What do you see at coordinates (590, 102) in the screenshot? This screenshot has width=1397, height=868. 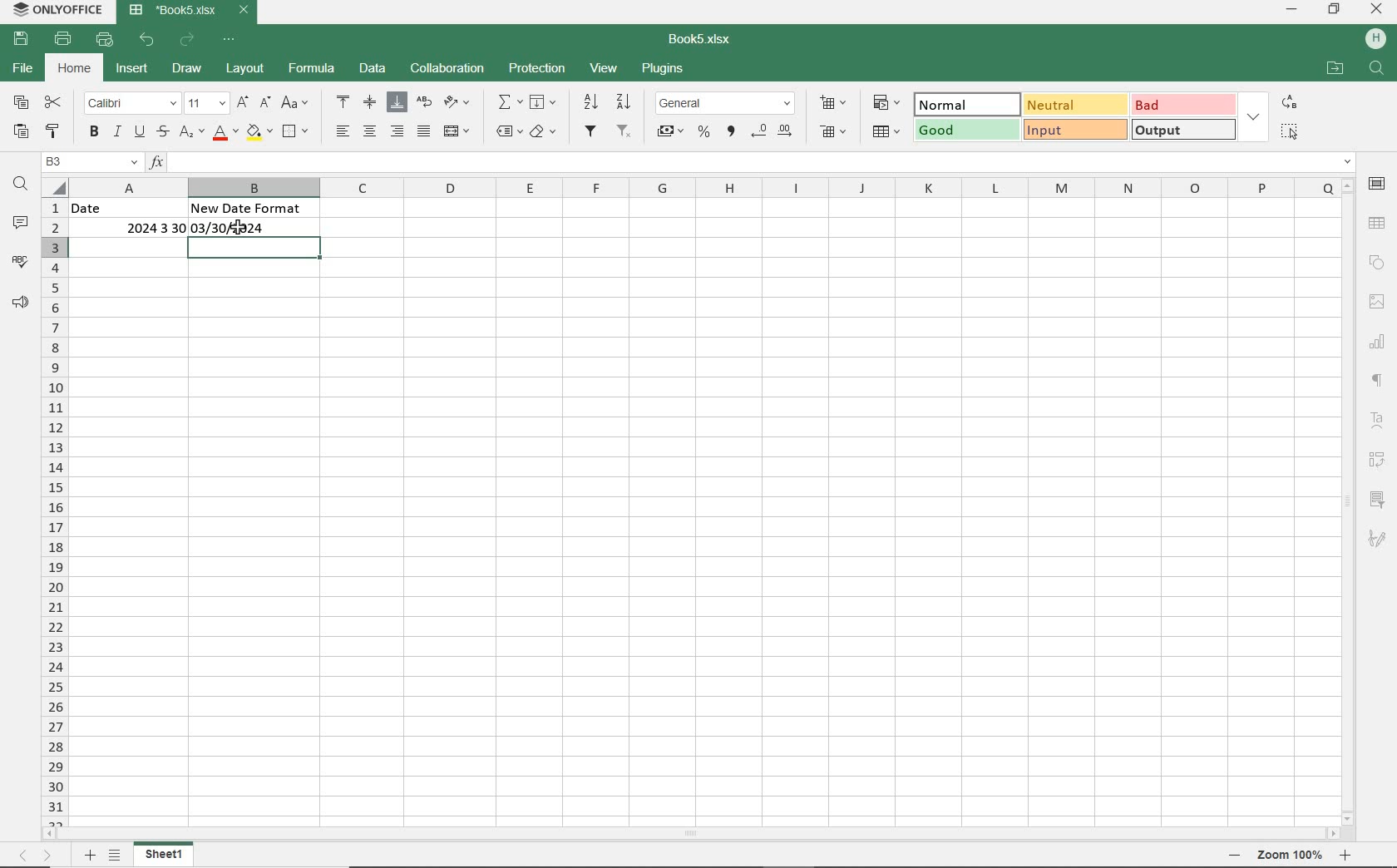 I see `SORT ASCENDING` at bounding box center [590, 102].